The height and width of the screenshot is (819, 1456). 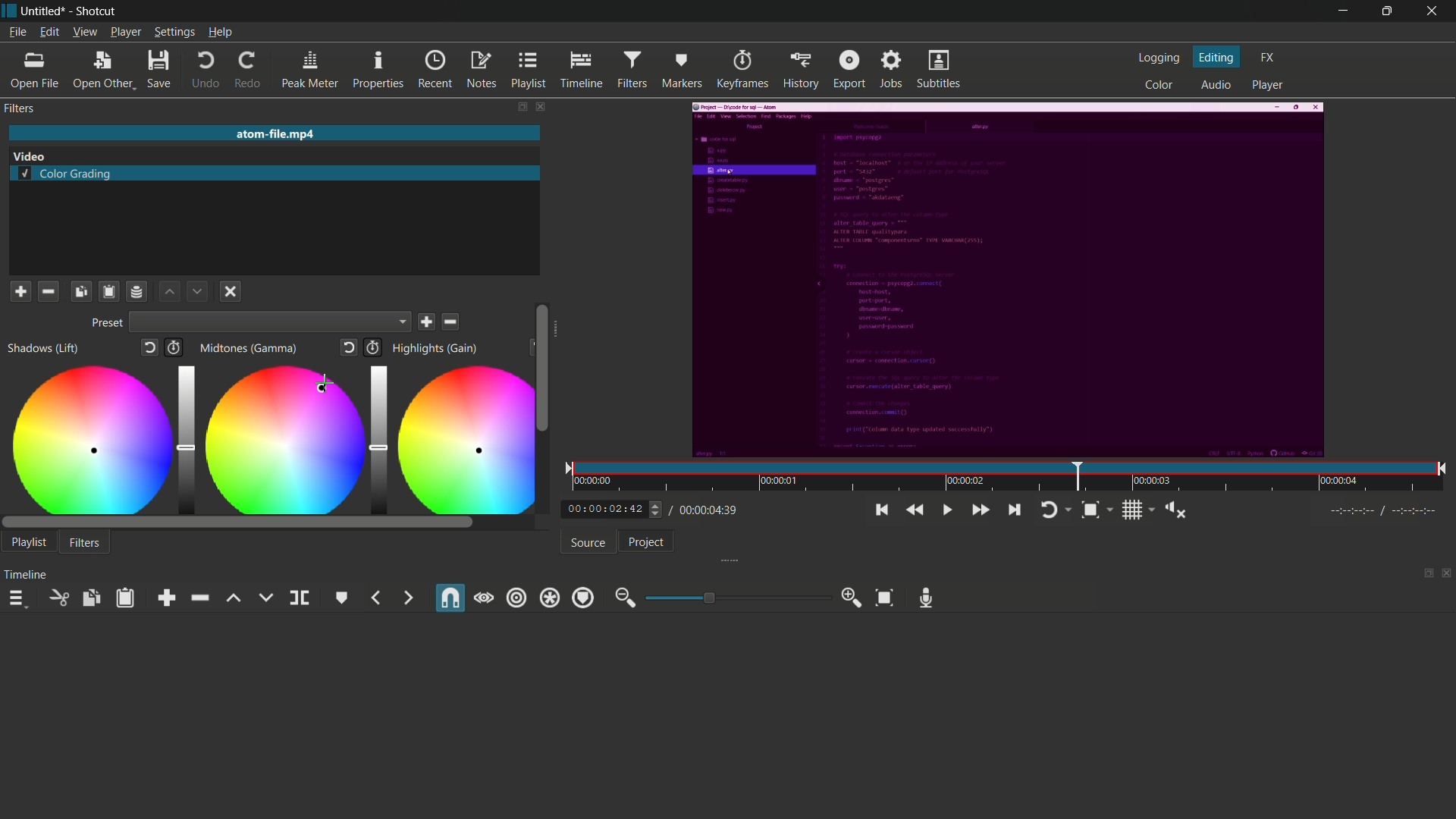 What do you see at coordinates (1338, 12) in the screenshot?
I see `minimize` at bounding box center [1338, 12].